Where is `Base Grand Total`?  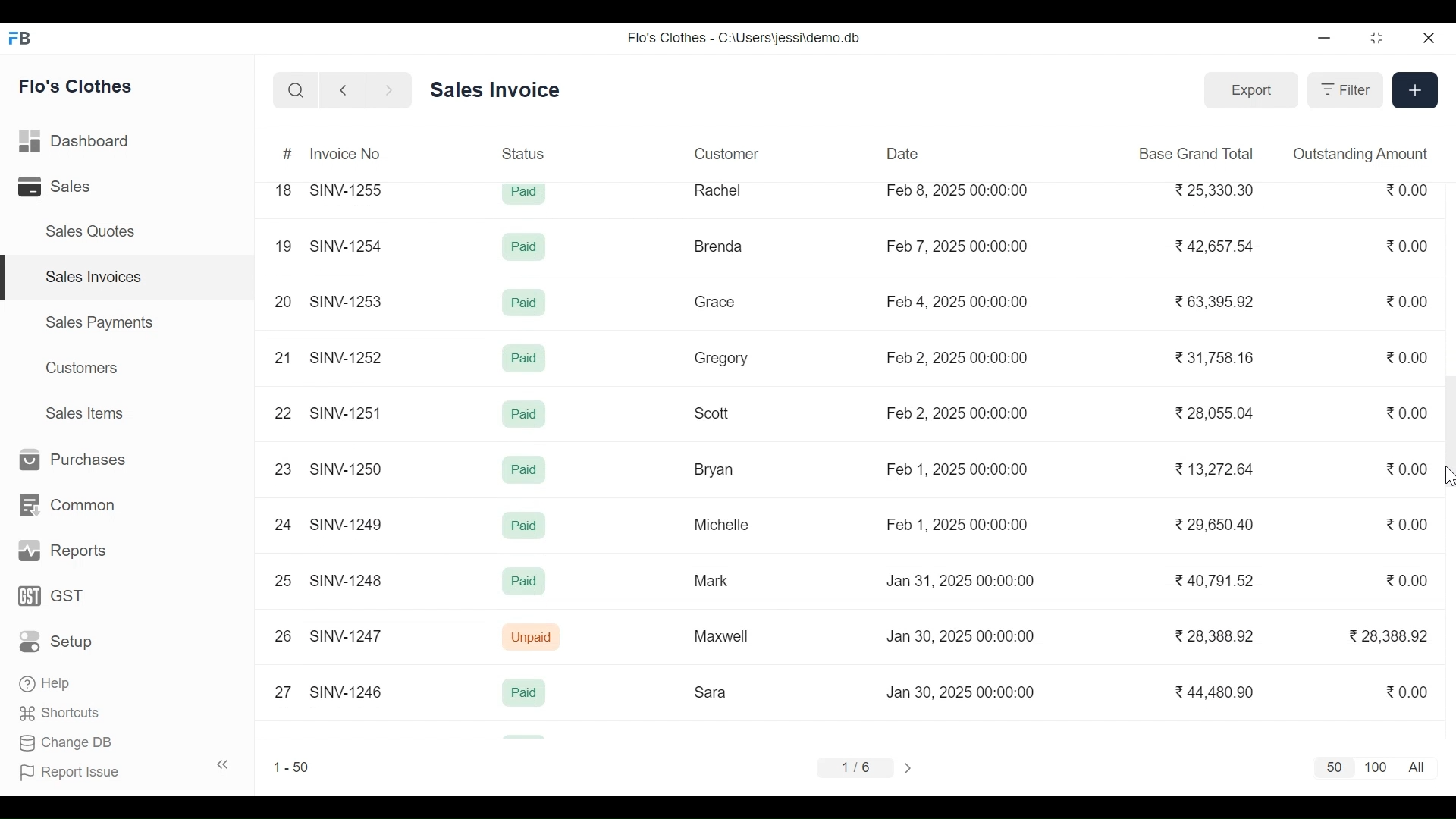
Base Grand Total is located at coordinates (1198, 152).